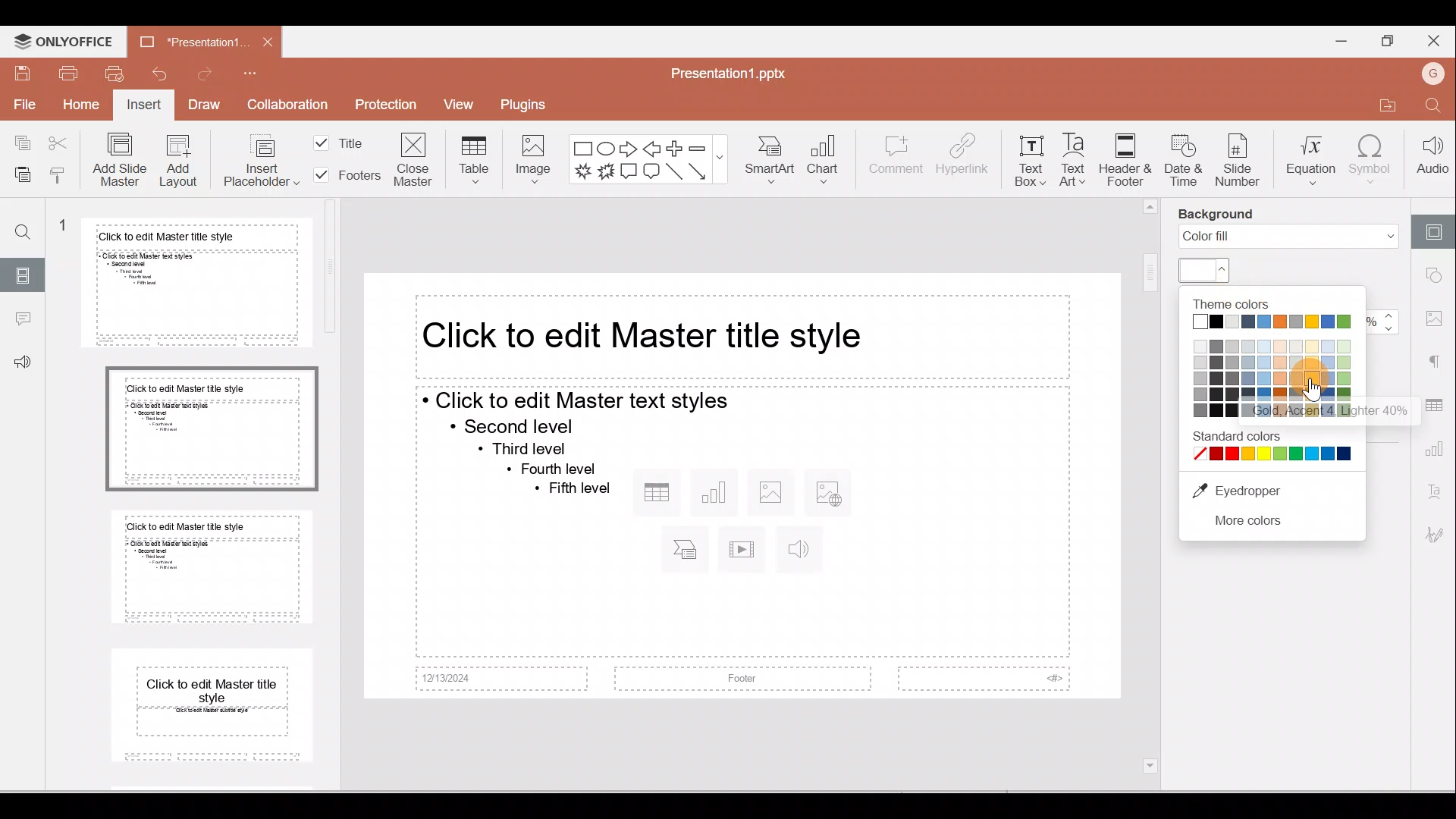 The image size is (1456, 819). What do you see at coordinates (1373, 162) in the screenshot?
I see `Symbol` at bounding box center [1373, 162].